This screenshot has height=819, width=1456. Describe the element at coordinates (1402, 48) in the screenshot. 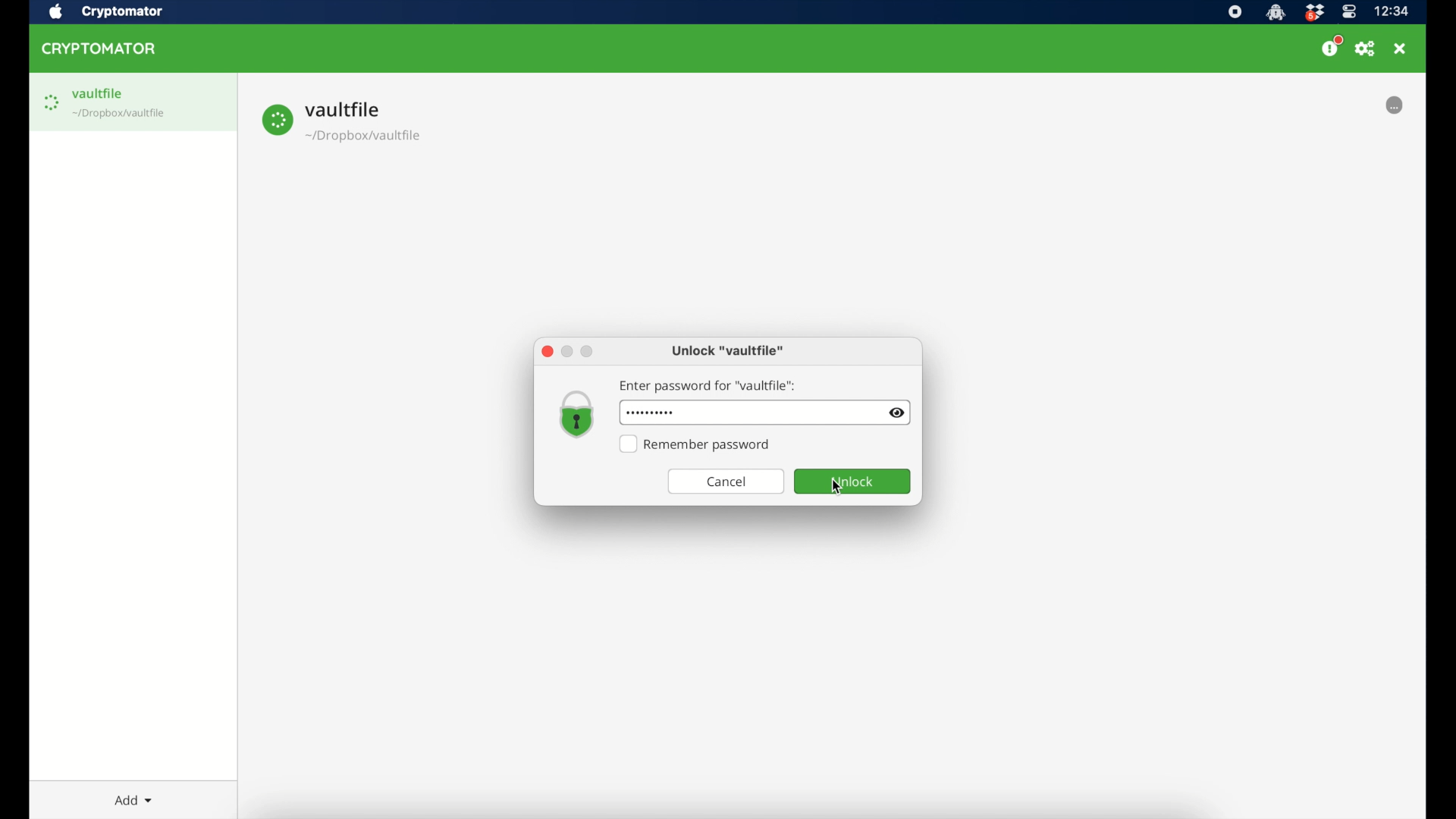

I see `close` at that location.